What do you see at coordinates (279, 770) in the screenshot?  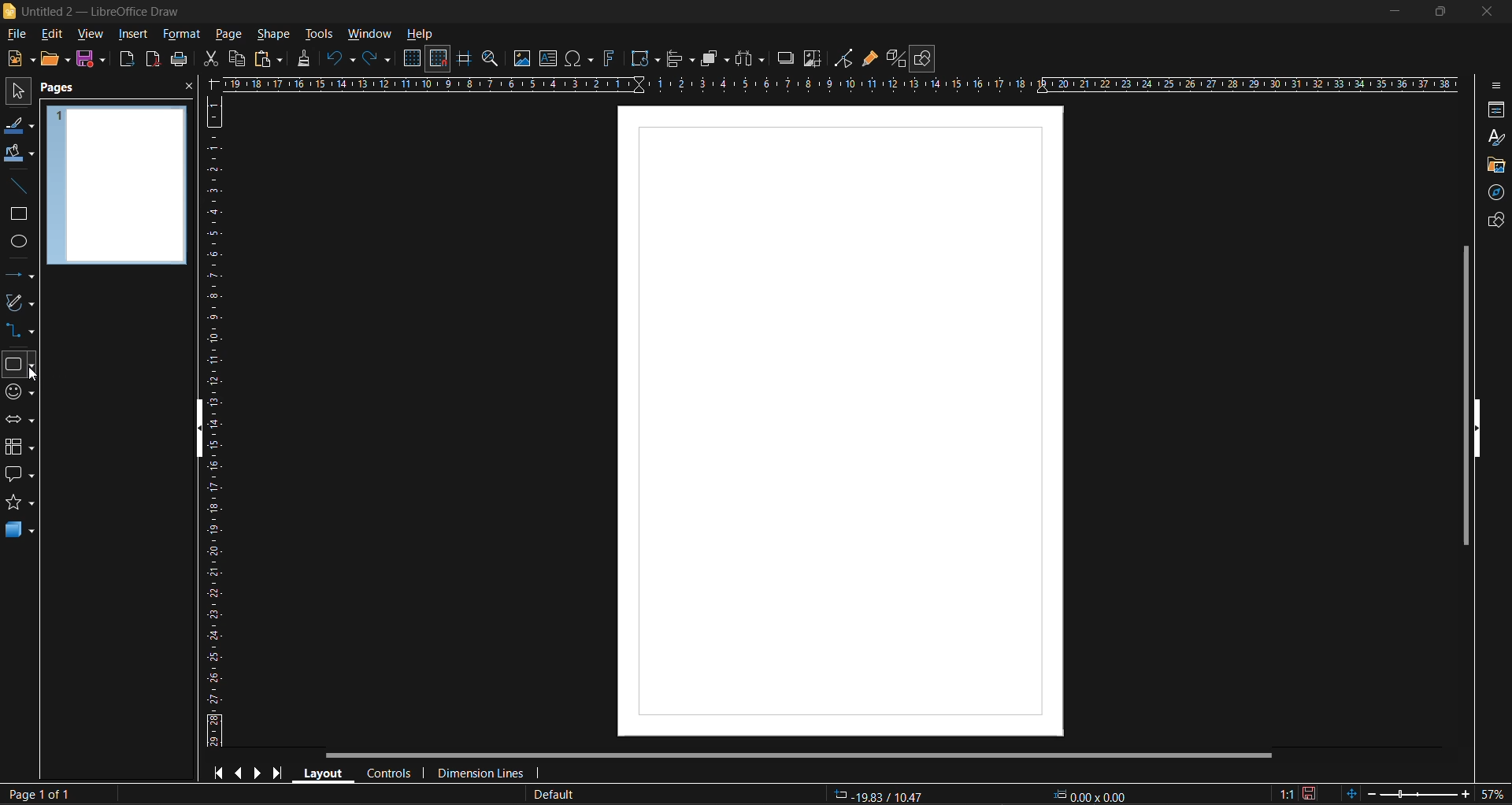 I see `last` at bounding box center [279, 770].